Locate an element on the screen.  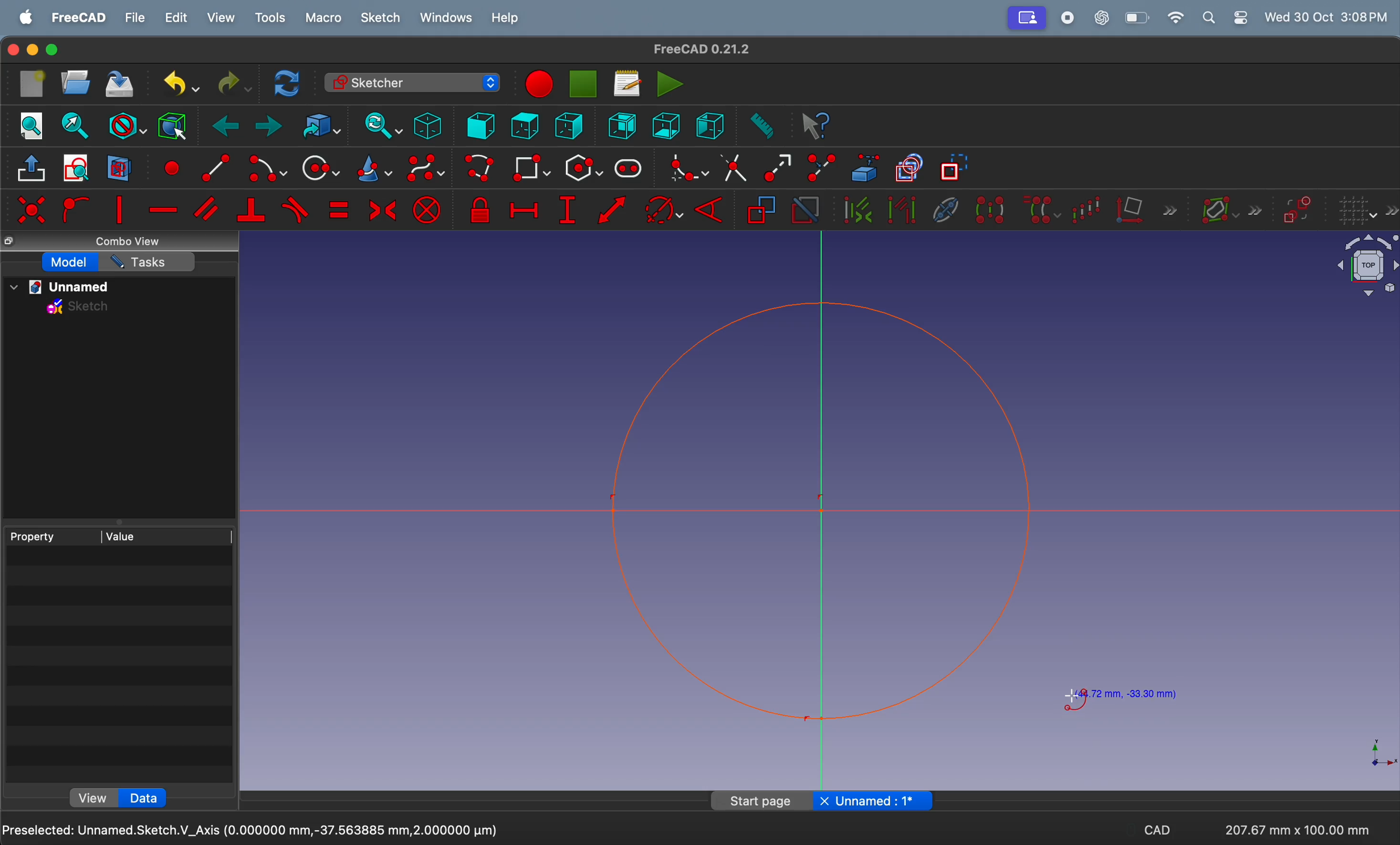
constrain block is located at coordinates (427, 210).